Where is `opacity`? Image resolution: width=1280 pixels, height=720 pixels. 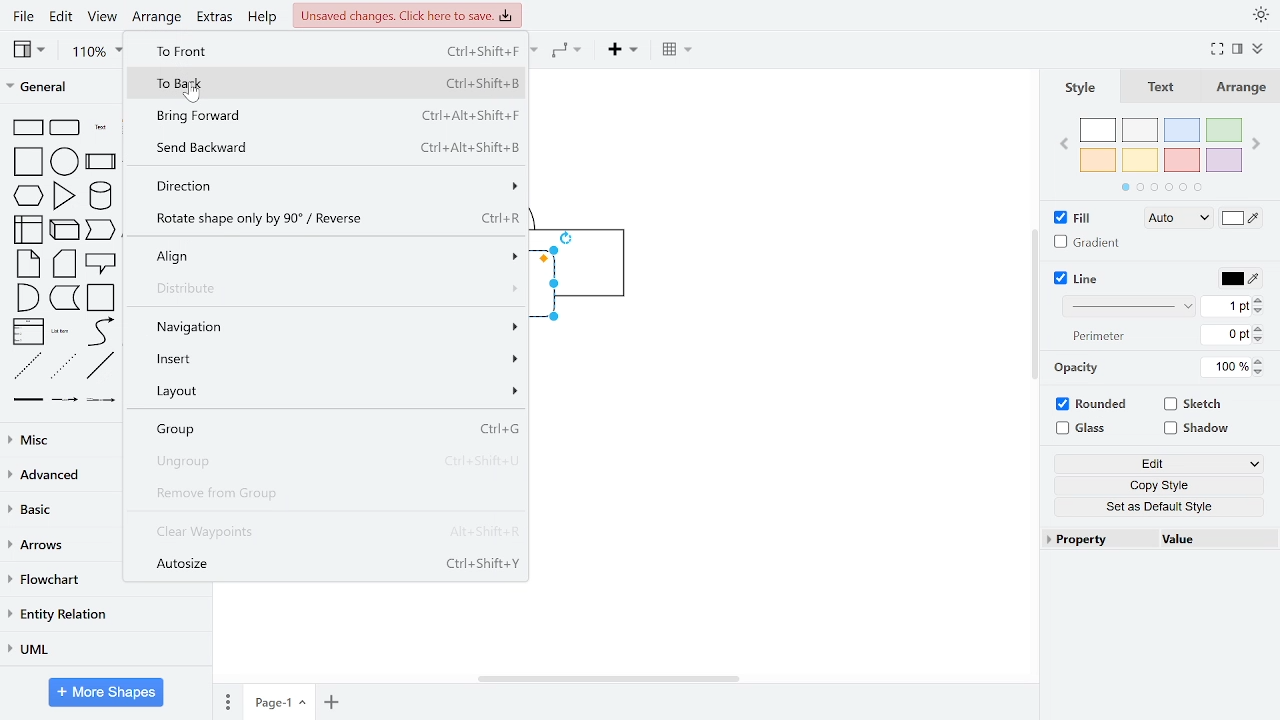
opacity is located at coordinates (1075, 369).